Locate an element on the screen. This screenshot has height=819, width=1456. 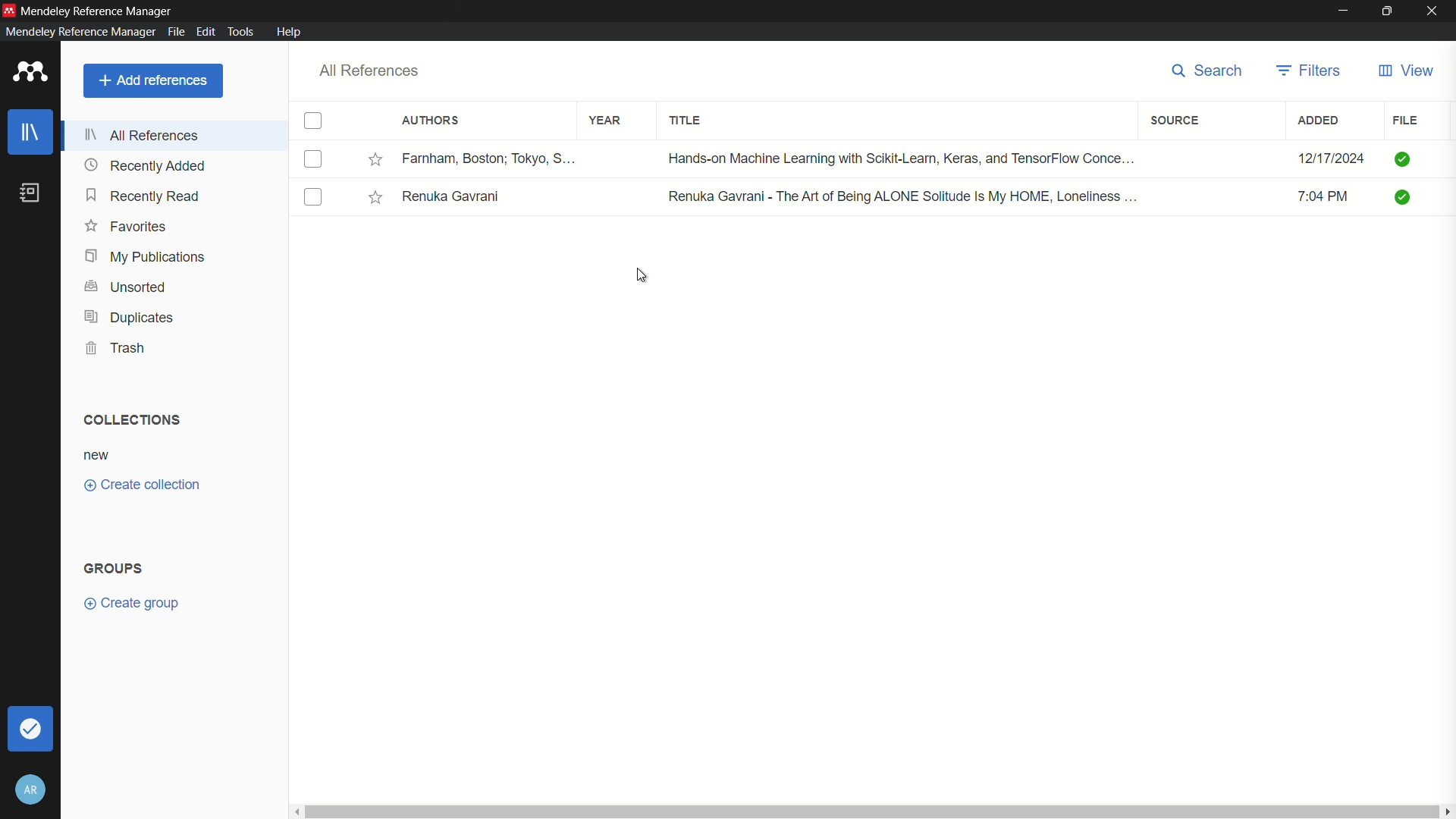
duplicates is located at coordinates (129, 318).